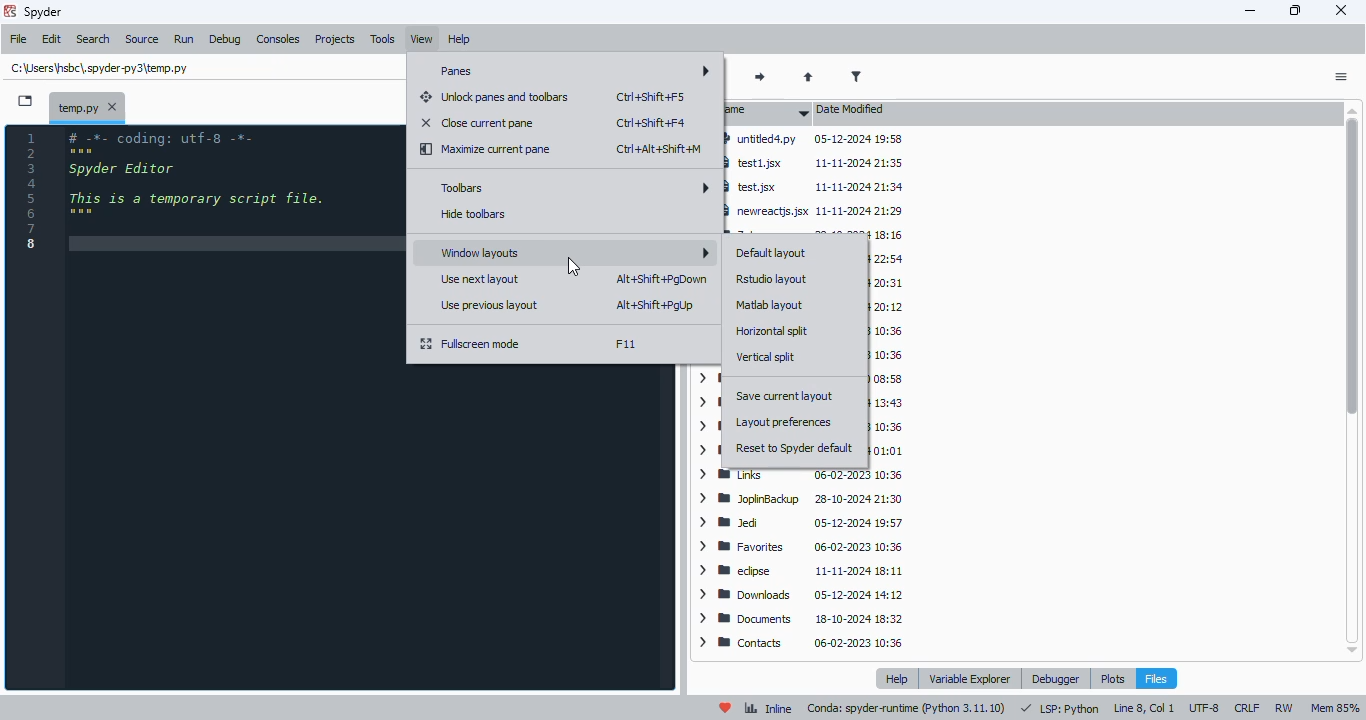 This screenshot has width=1366, height=720. Describe the element at coordinates (809, 77) in the screenshot. I see `parent` at that location.